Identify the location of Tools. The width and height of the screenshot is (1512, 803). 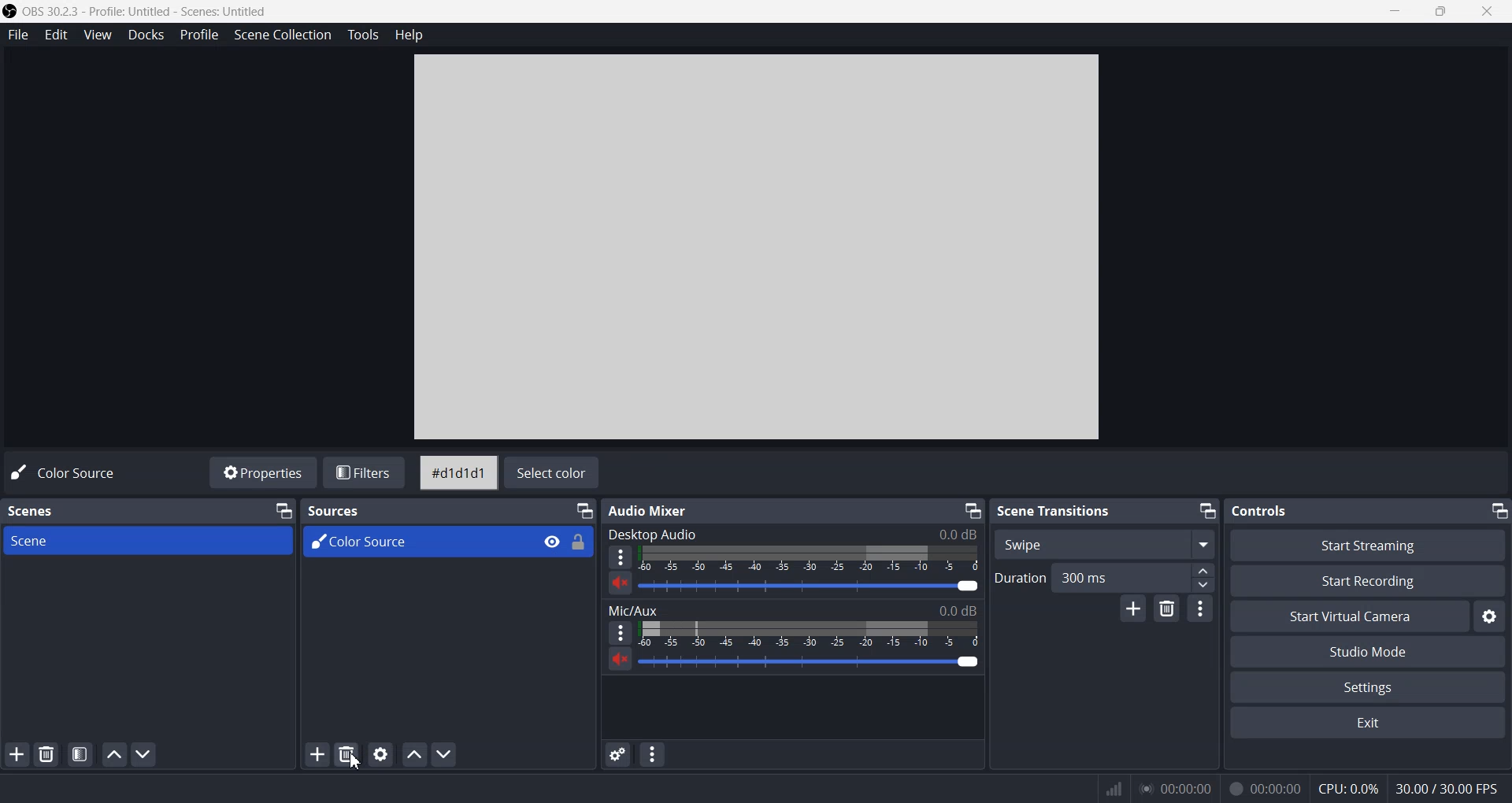
(362, 35).